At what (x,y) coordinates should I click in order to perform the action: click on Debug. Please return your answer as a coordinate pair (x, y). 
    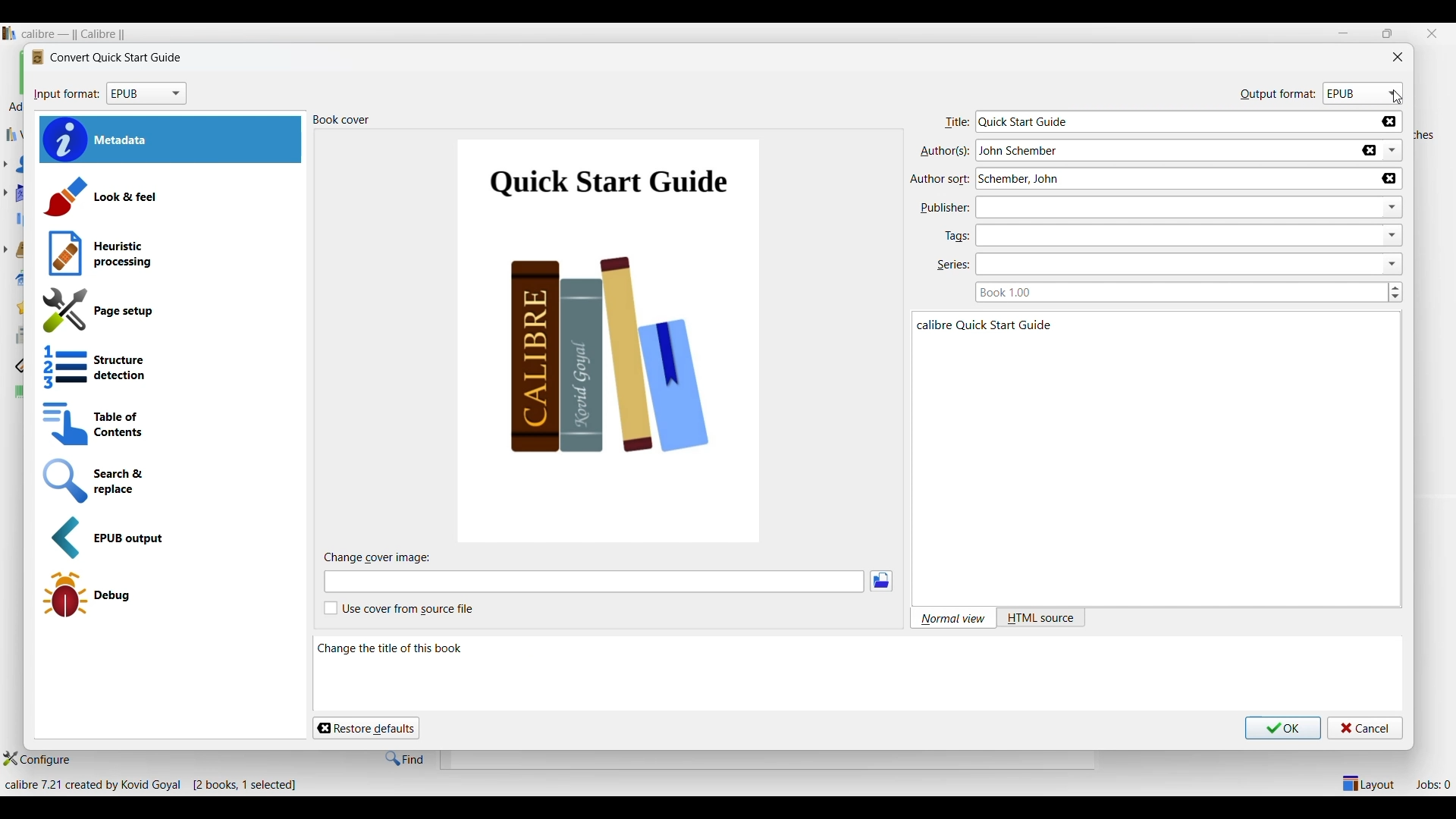
    Looking at the image, I should click on (169, 595).